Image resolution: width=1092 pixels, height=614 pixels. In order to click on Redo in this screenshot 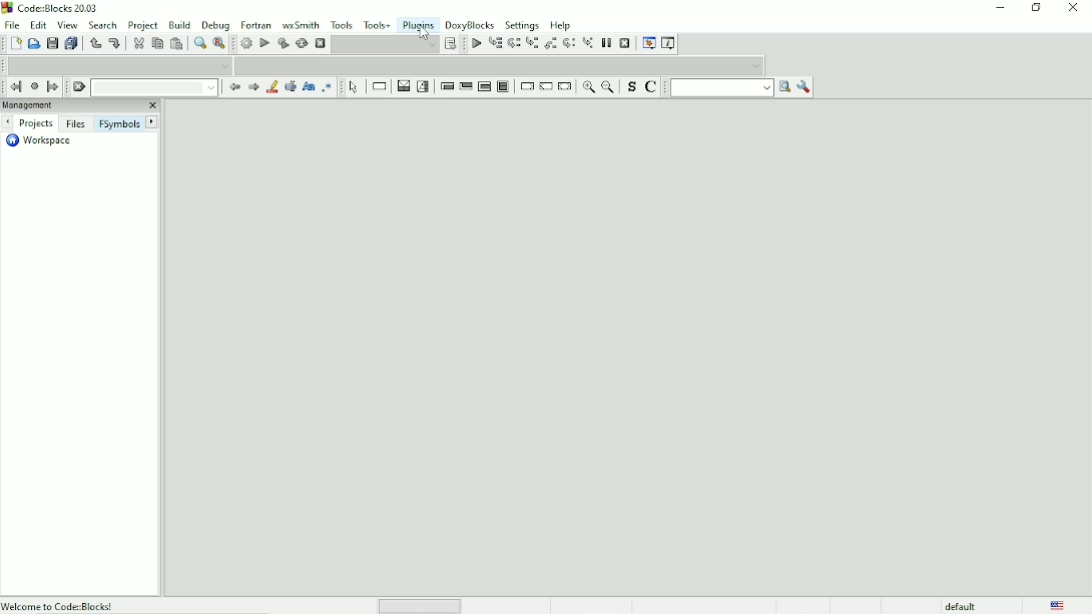, I will do `click(114, 43)`.